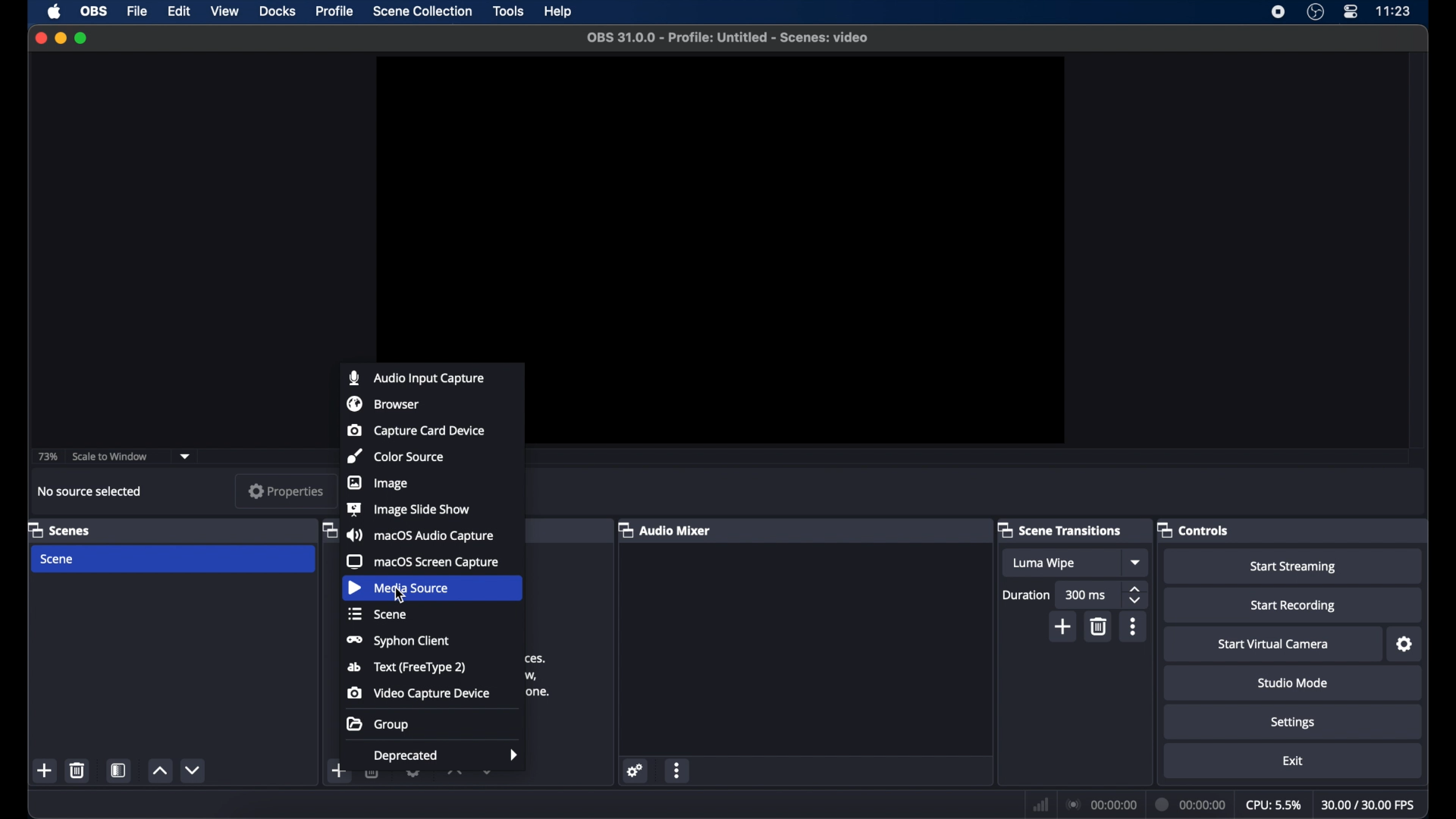 This screenshot has height=819, width=1456. What do you see at coordinates (1278, 12) in the screenshot?
I see `screen recorder icon` at bounding box center [1278, 12].